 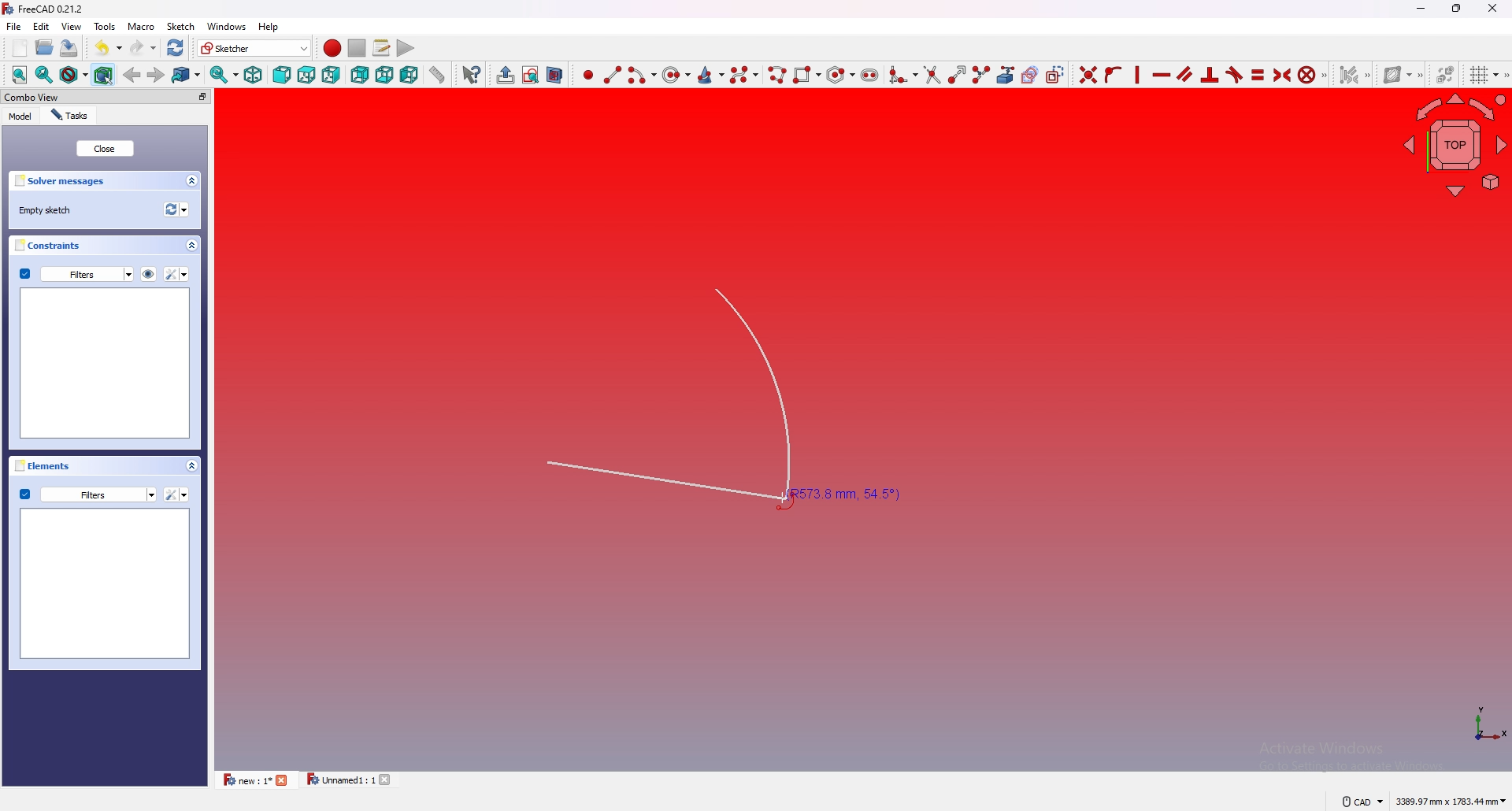 I want to click on front, so click(x=280, y=75).